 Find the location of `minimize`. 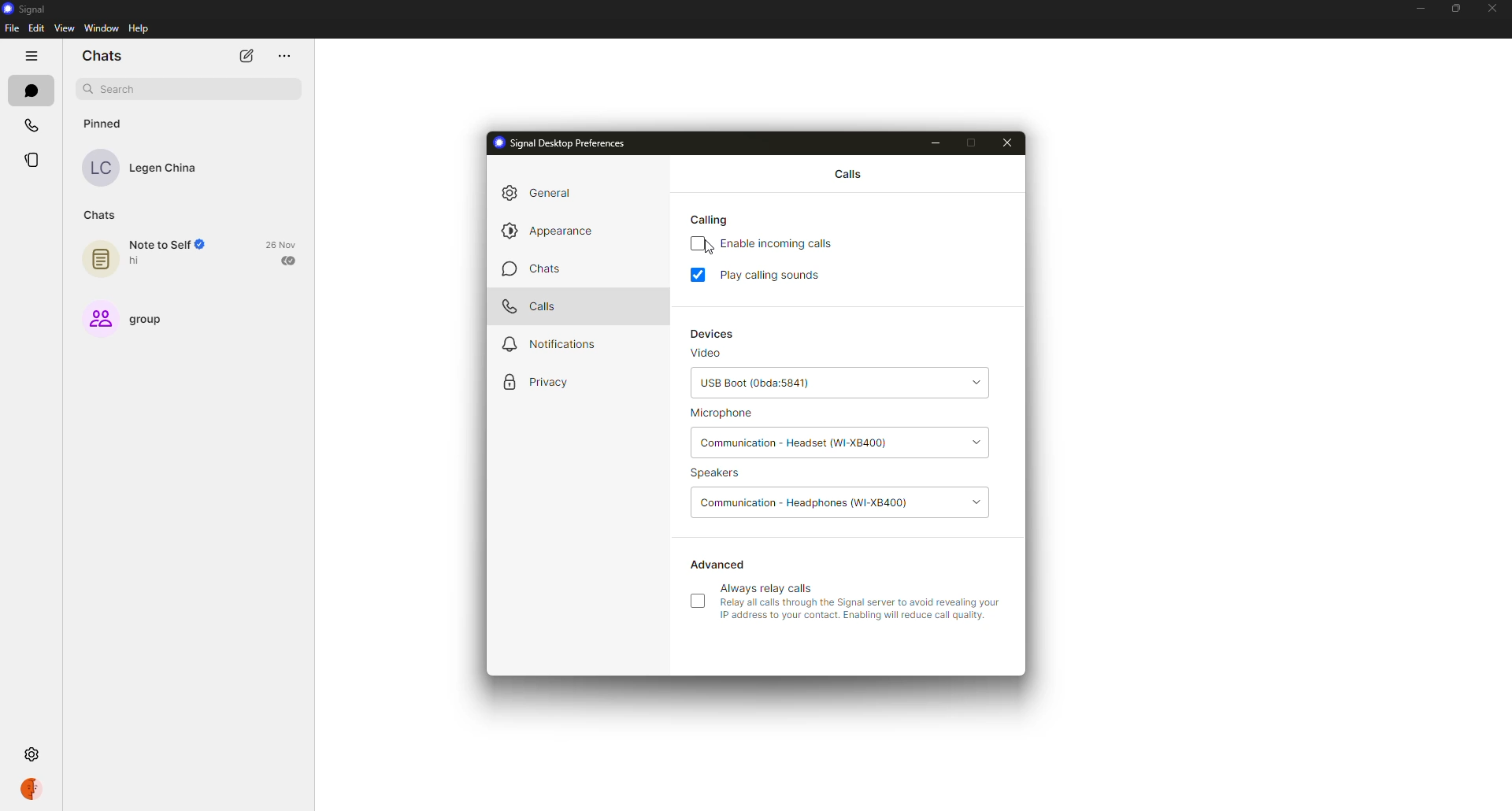

minimize is located at coordinates (937, 142).